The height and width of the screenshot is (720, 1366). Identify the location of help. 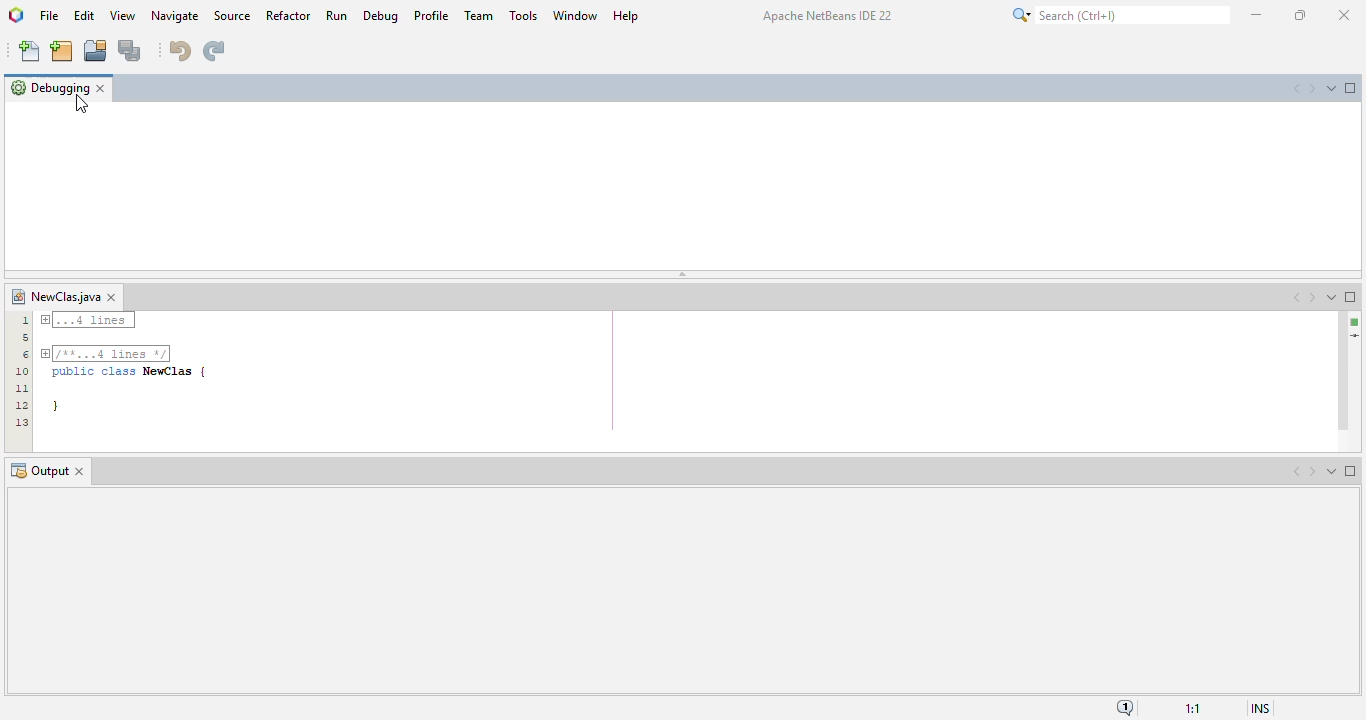
(626, 14).